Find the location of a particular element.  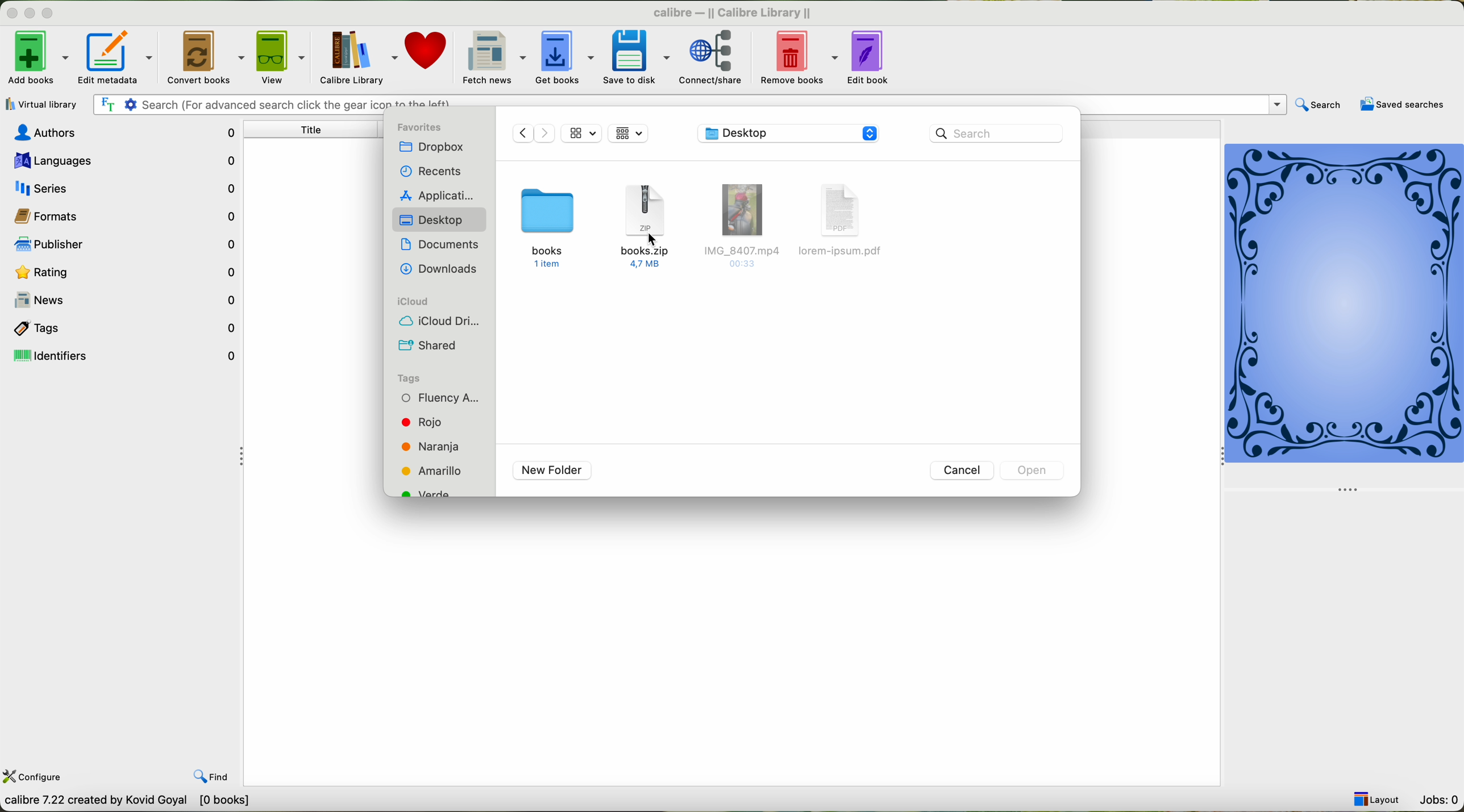

fluency tag is located at coordinates (441, 399).